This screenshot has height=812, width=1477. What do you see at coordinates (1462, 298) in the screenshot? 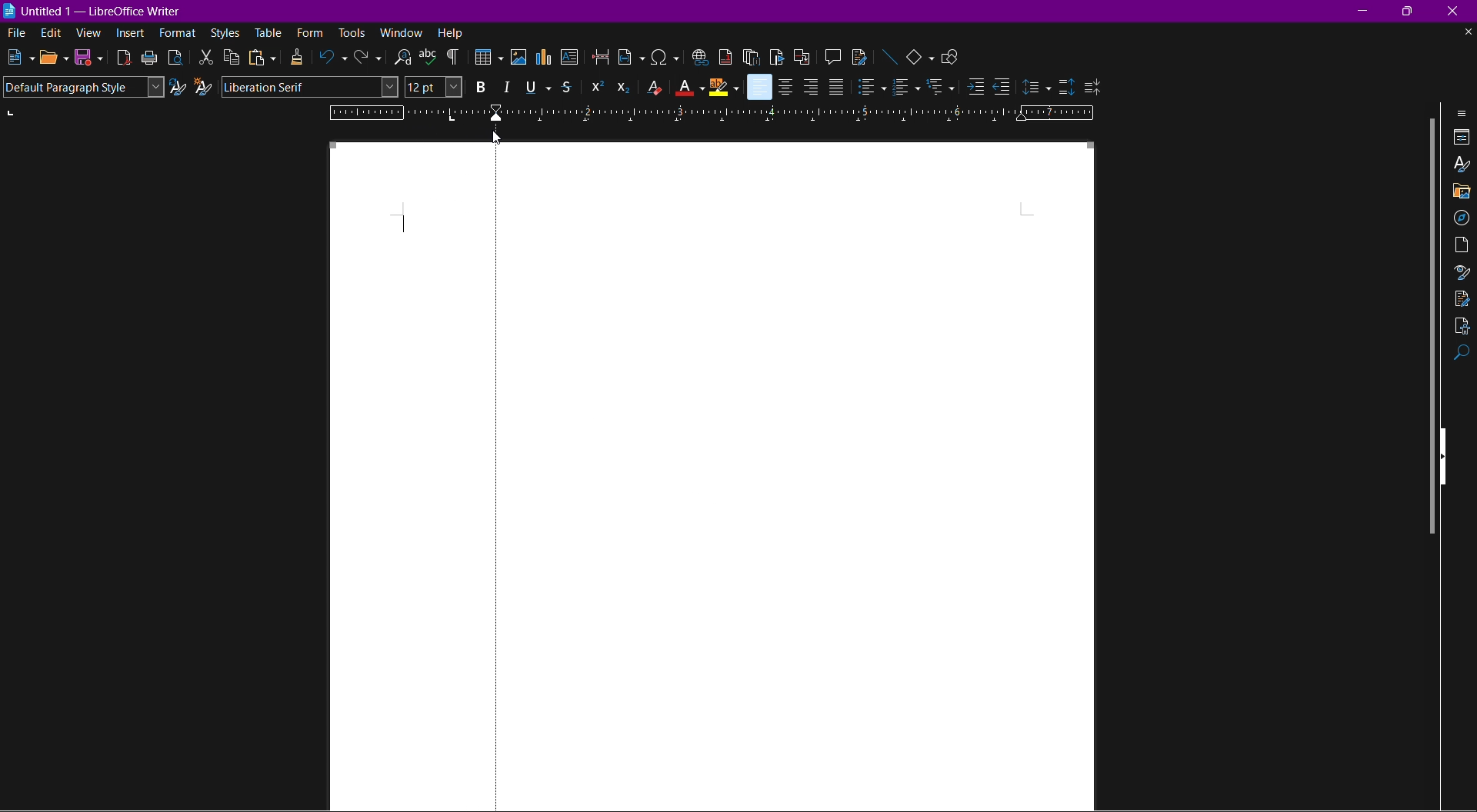
I see `Manage Changes` at bounding box center [1462, 298].